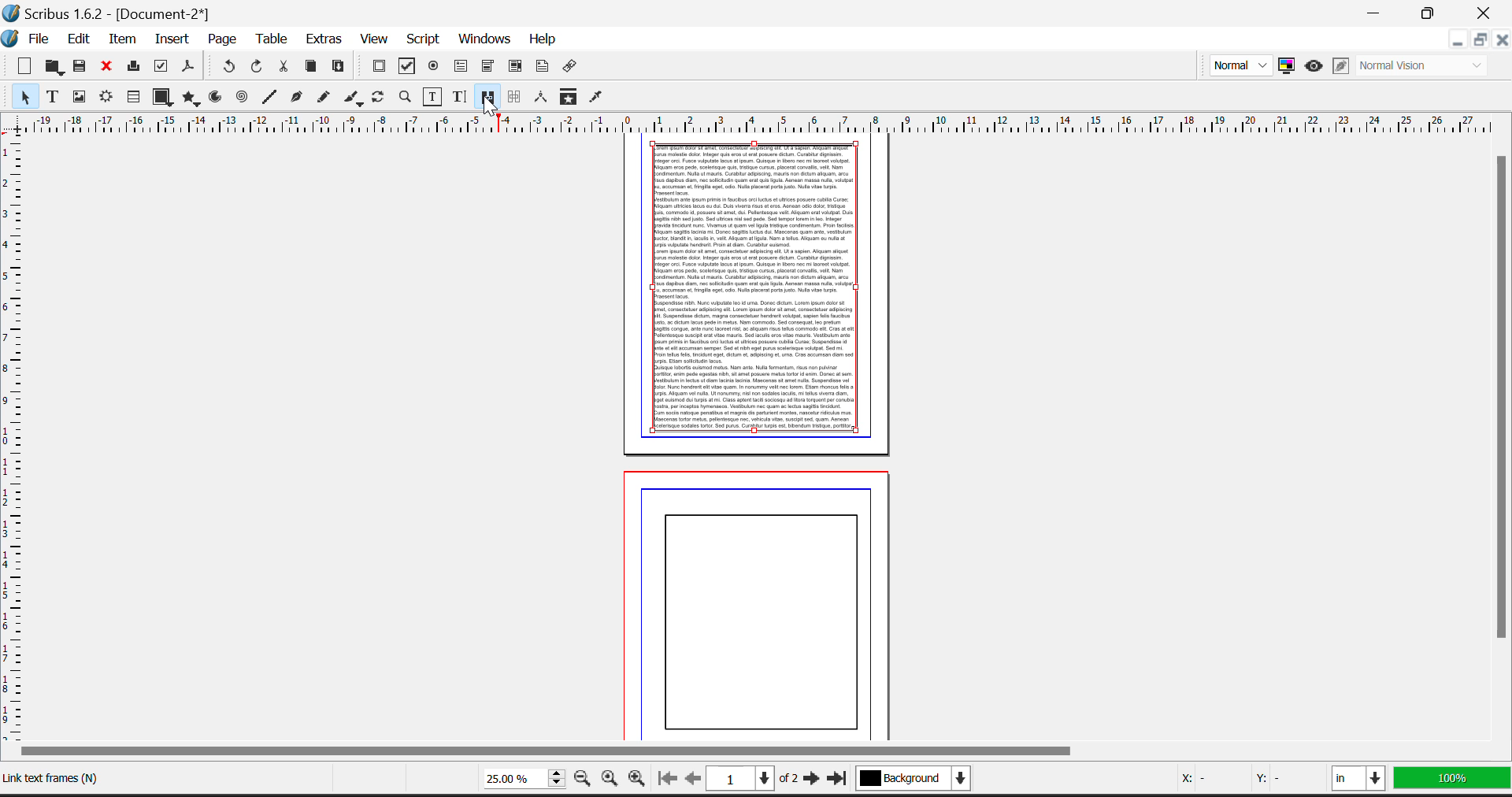 The image size is (1512, 797). I want to click on Normal Vision, so click(1428, 65).